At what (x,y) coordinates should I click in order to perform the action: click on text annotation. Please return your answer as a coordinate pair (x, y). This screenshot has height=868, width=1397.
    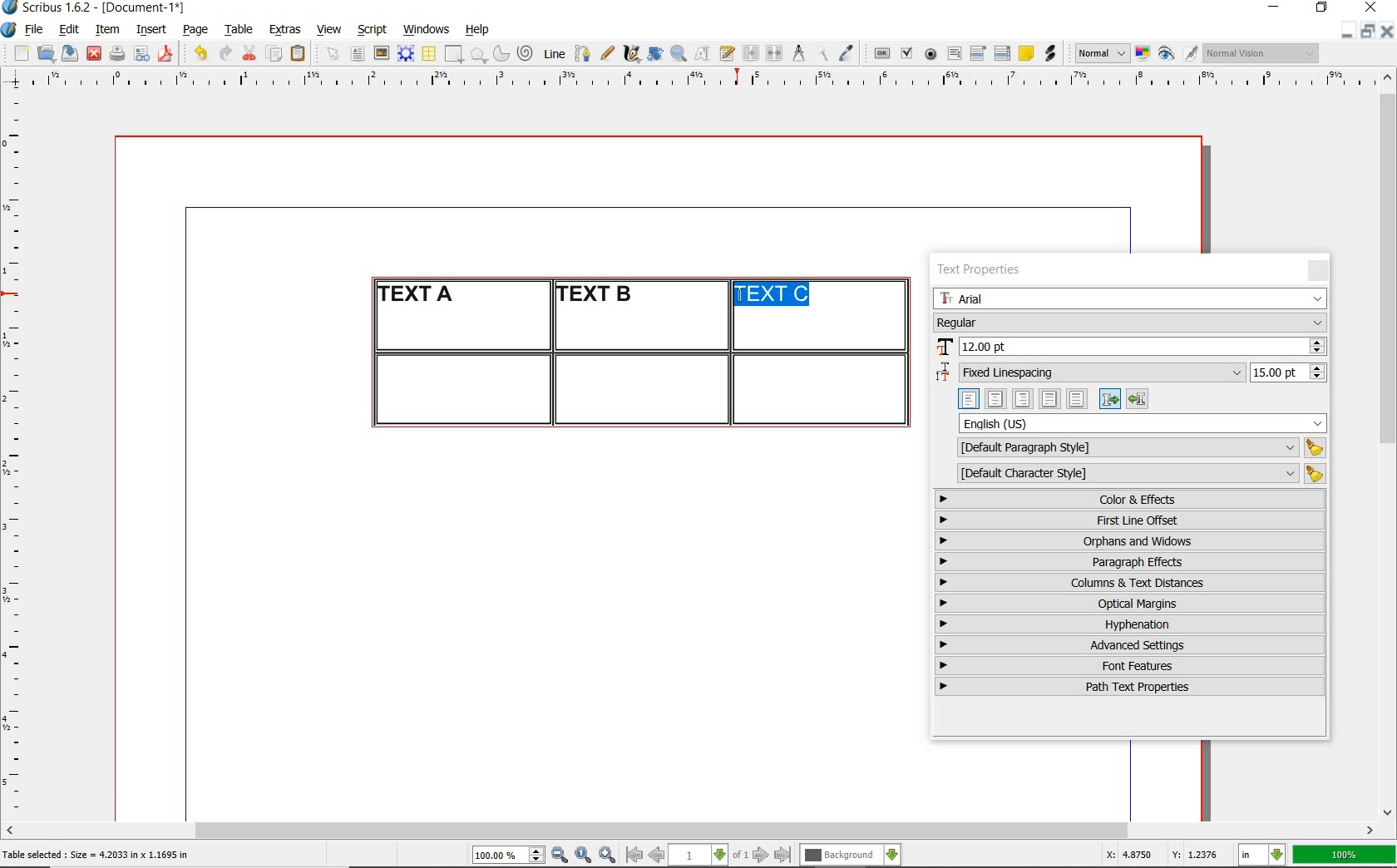
    Looking at the image, I should click on (1025, 54).